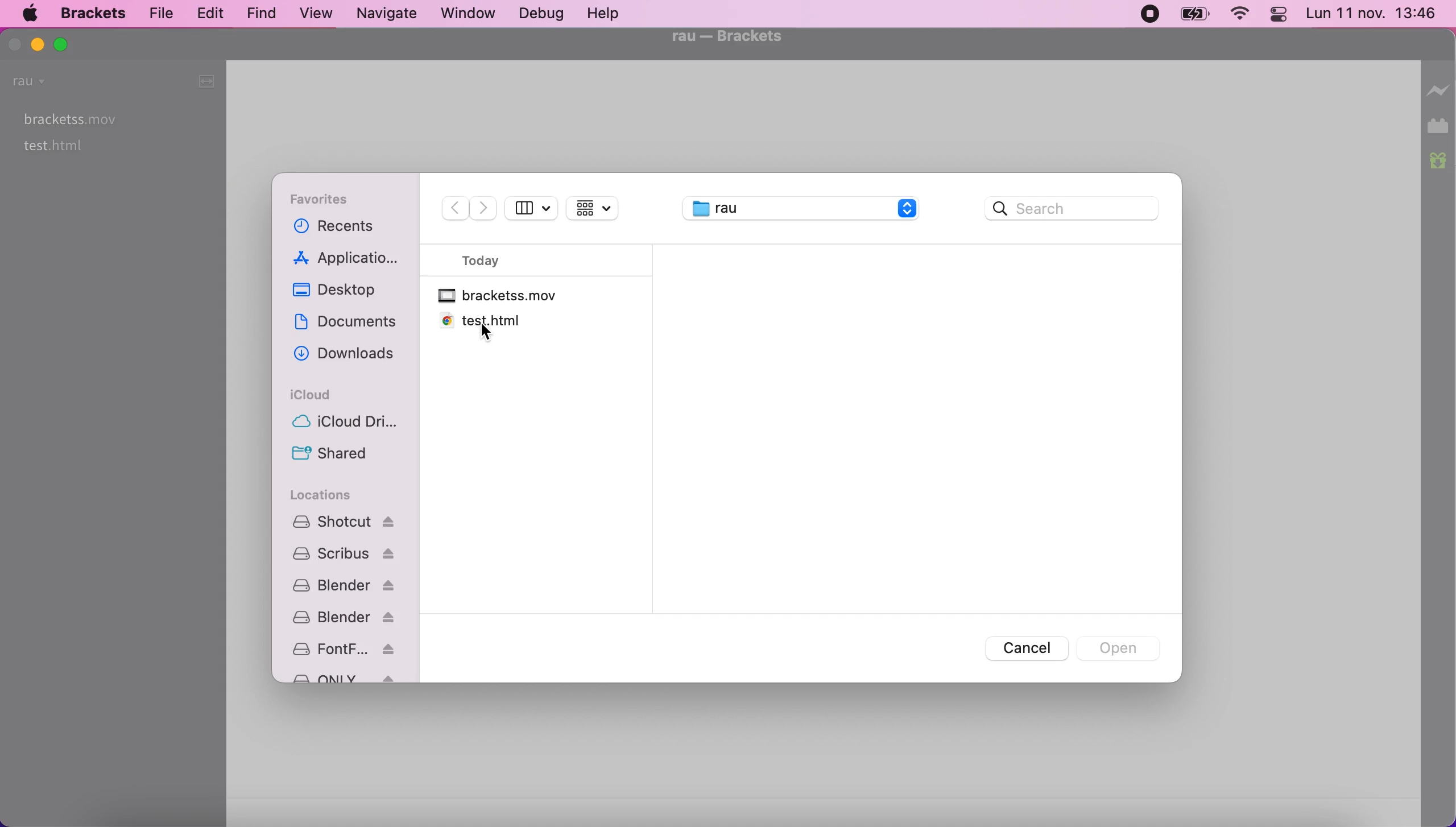  What do you see at coordinates (38, 43) in the screenshot?
I see `minimize` at bounding box center [38, 43].